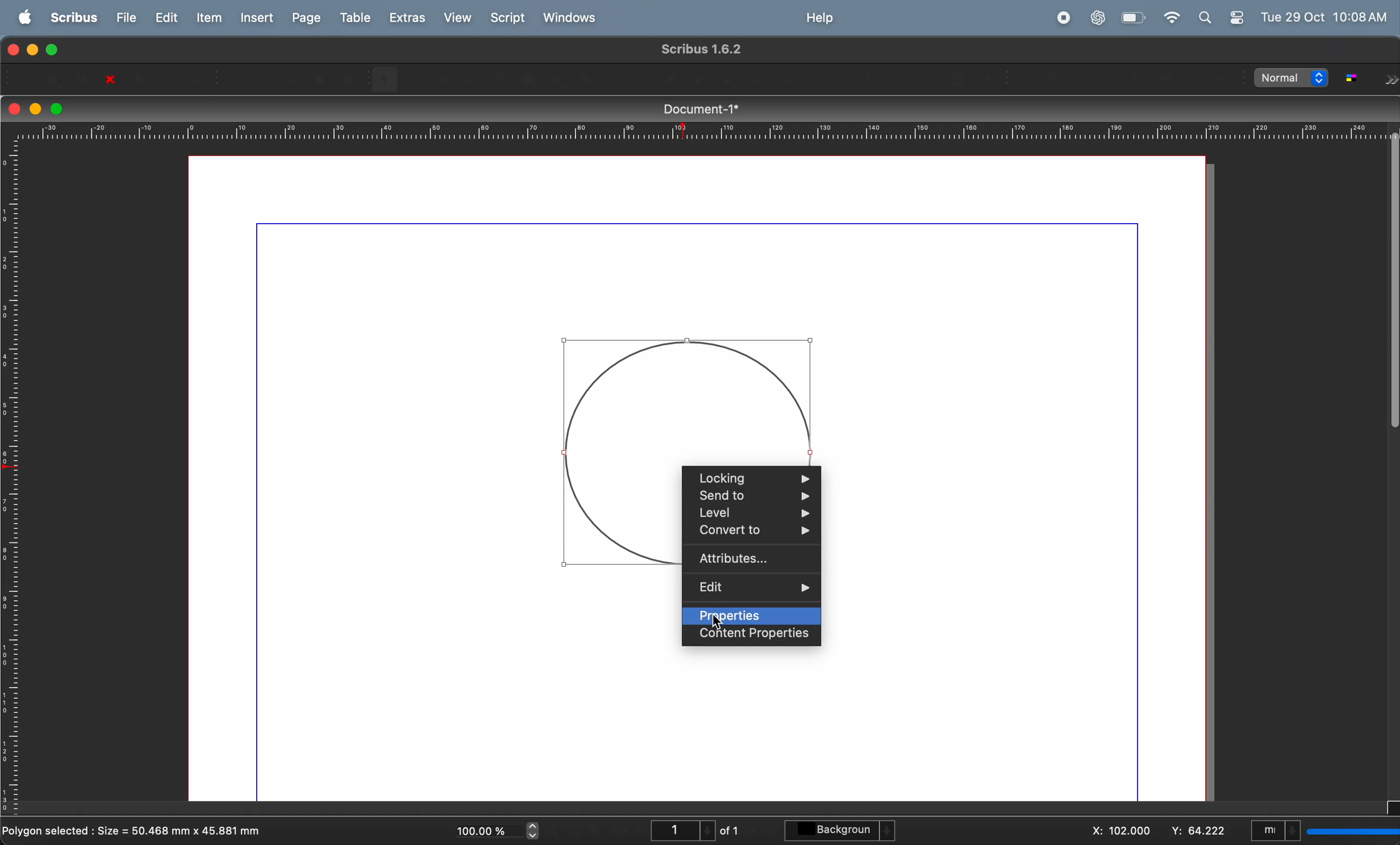 This screenshot has width=1400, height=845. Describe the element at coordinates (1293, 78) in the screenshot. I see `select image preview` at that location.